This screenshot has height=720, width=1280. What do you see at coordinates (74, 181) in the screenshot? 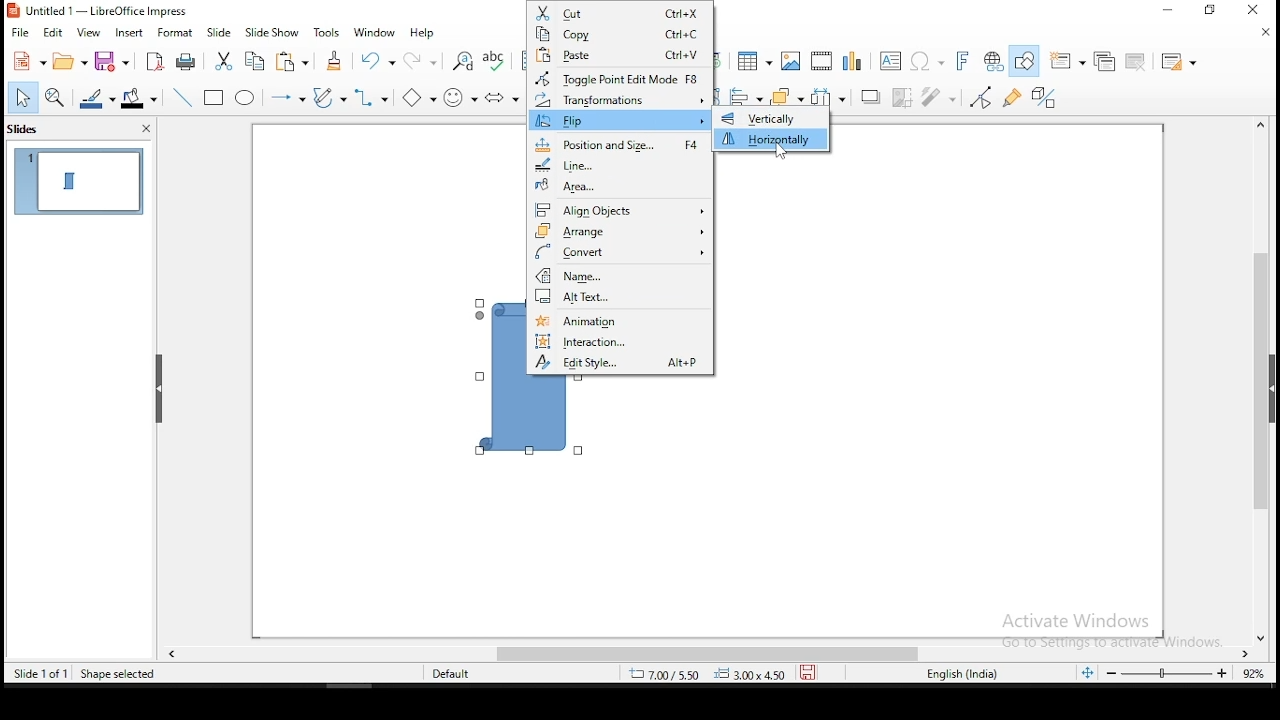
I see `slide 1` at bounding box center [74, 181].